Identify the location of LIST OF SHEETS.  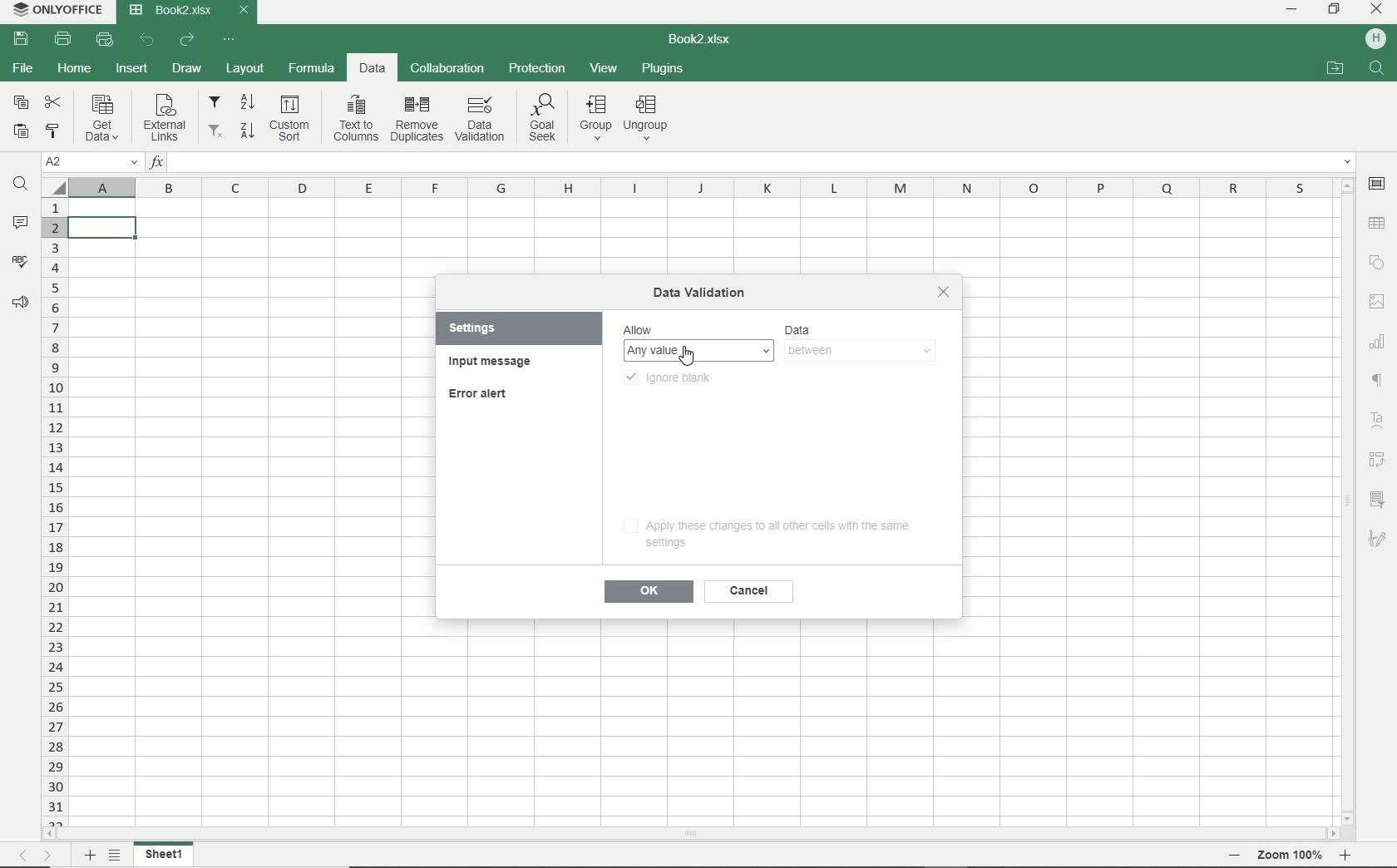
(118, 856).